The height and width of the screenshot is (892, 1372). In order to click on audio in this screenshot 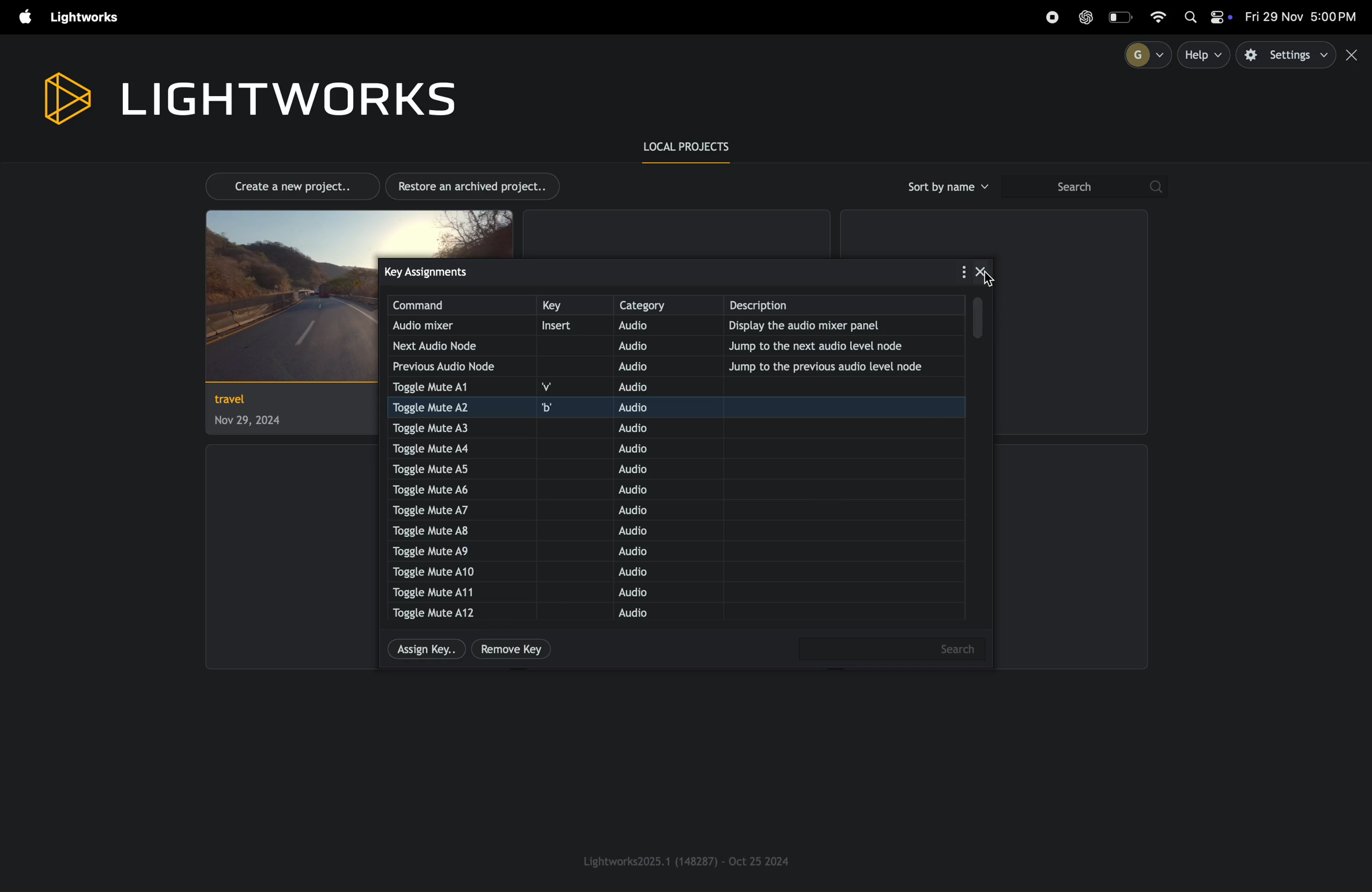, I will do `click(643, 614)`.